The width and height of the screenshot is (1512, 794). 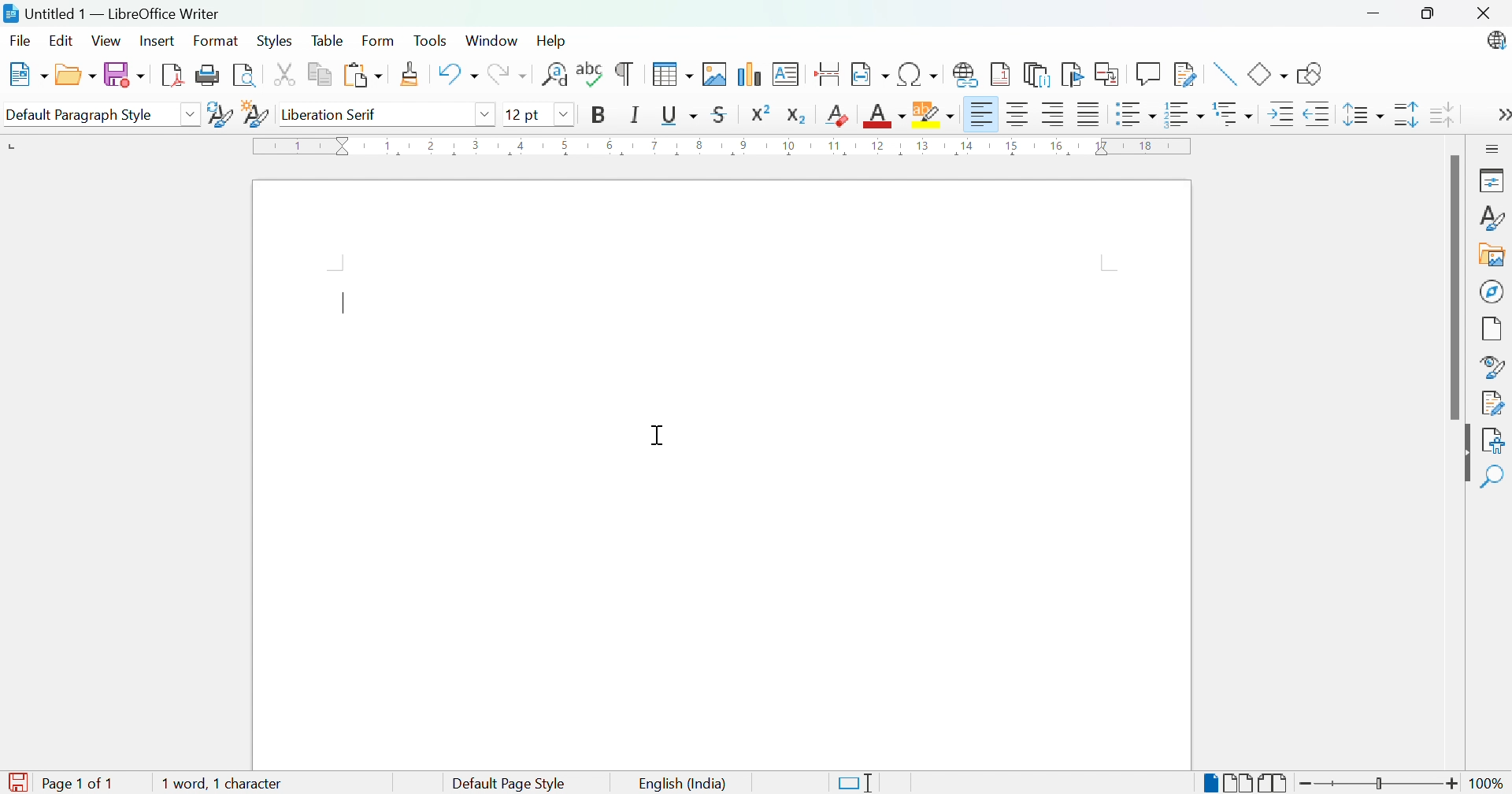 What do you see at coordinates (761, 113) in the screenshot?
I see `Superscript` at bounding box center [761, 113].